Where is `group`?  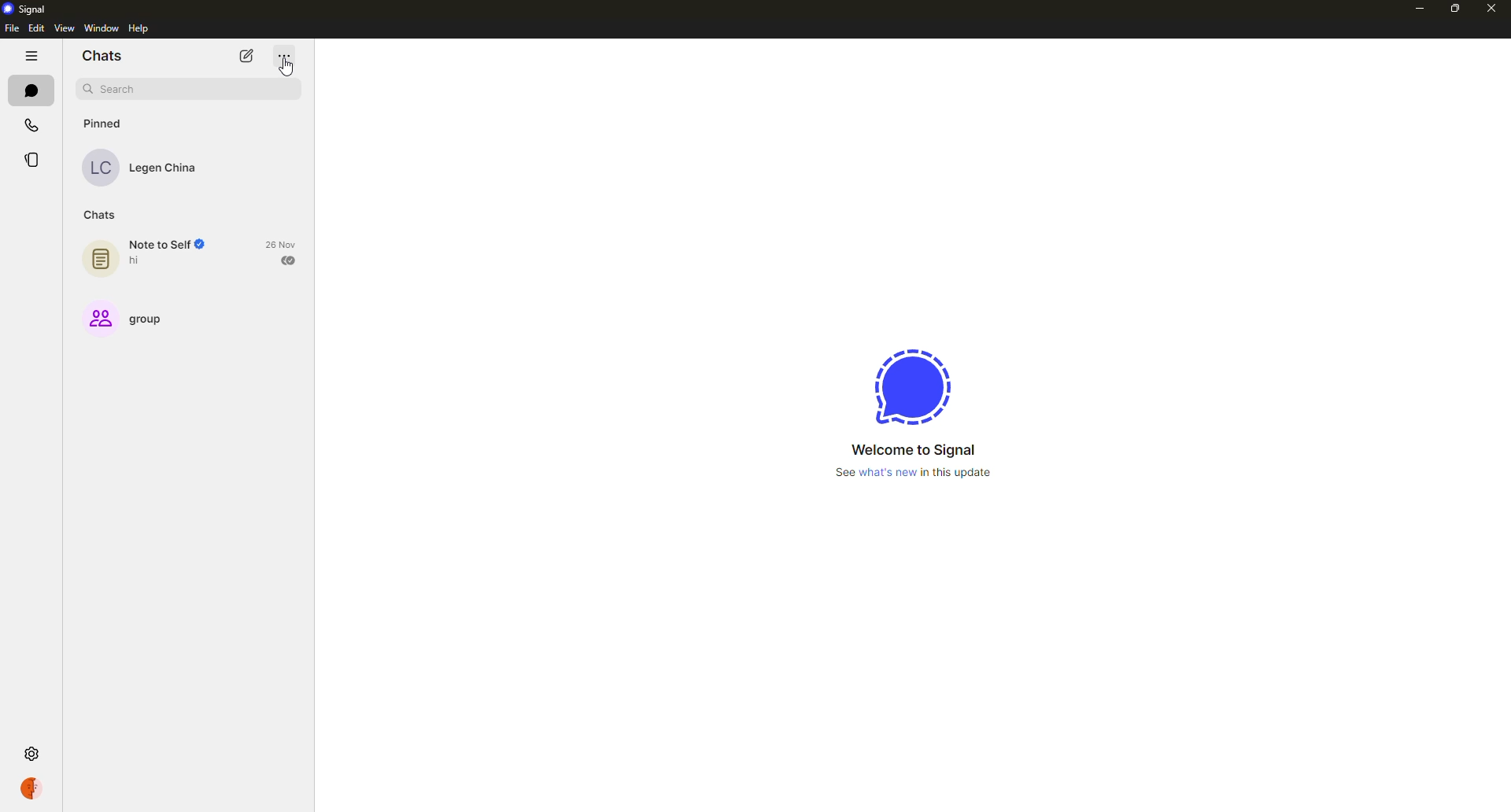
group is located at coordinates (133, 319).